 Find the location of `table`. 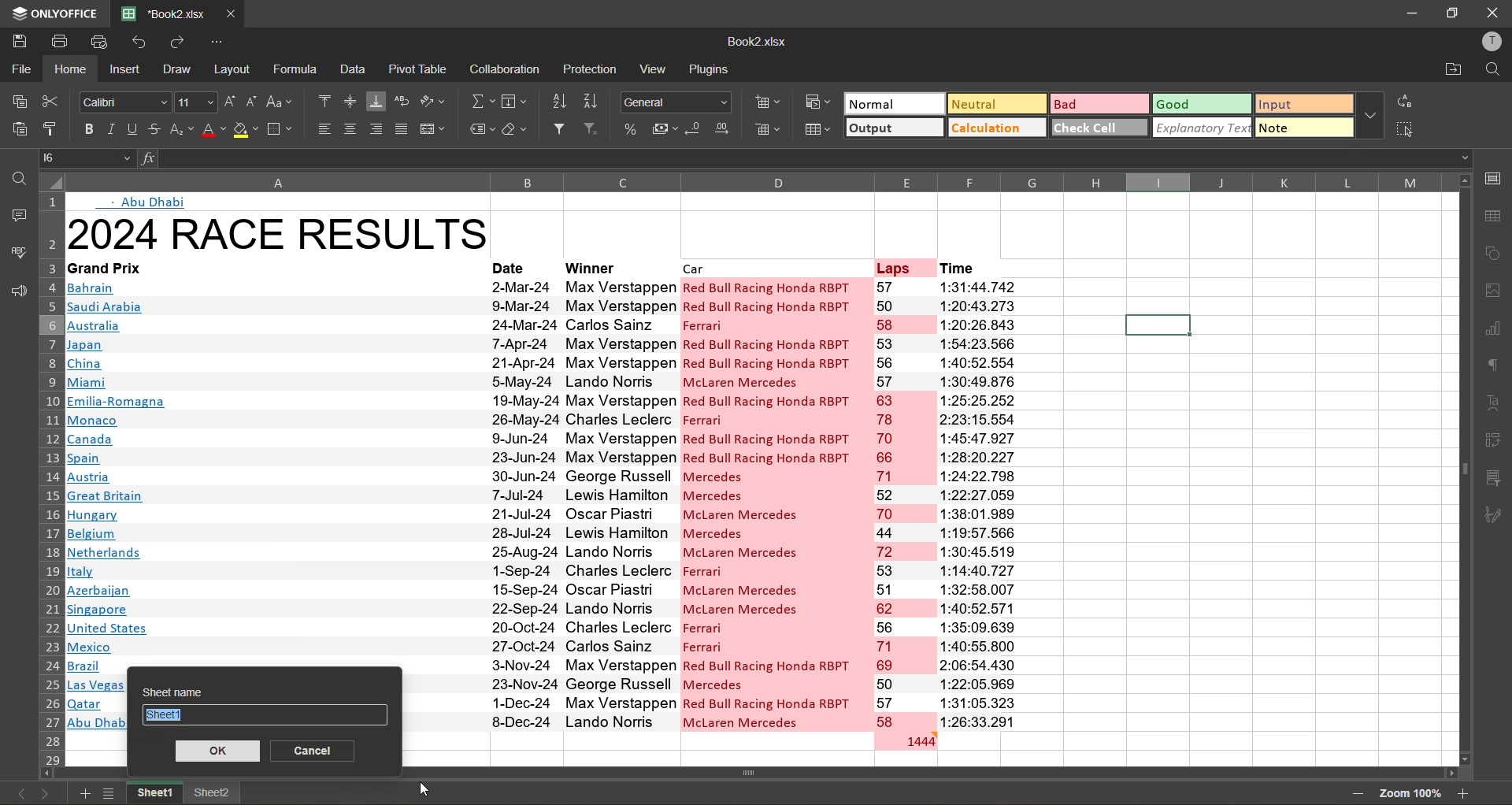

table is located at coordinates (1494, 214).